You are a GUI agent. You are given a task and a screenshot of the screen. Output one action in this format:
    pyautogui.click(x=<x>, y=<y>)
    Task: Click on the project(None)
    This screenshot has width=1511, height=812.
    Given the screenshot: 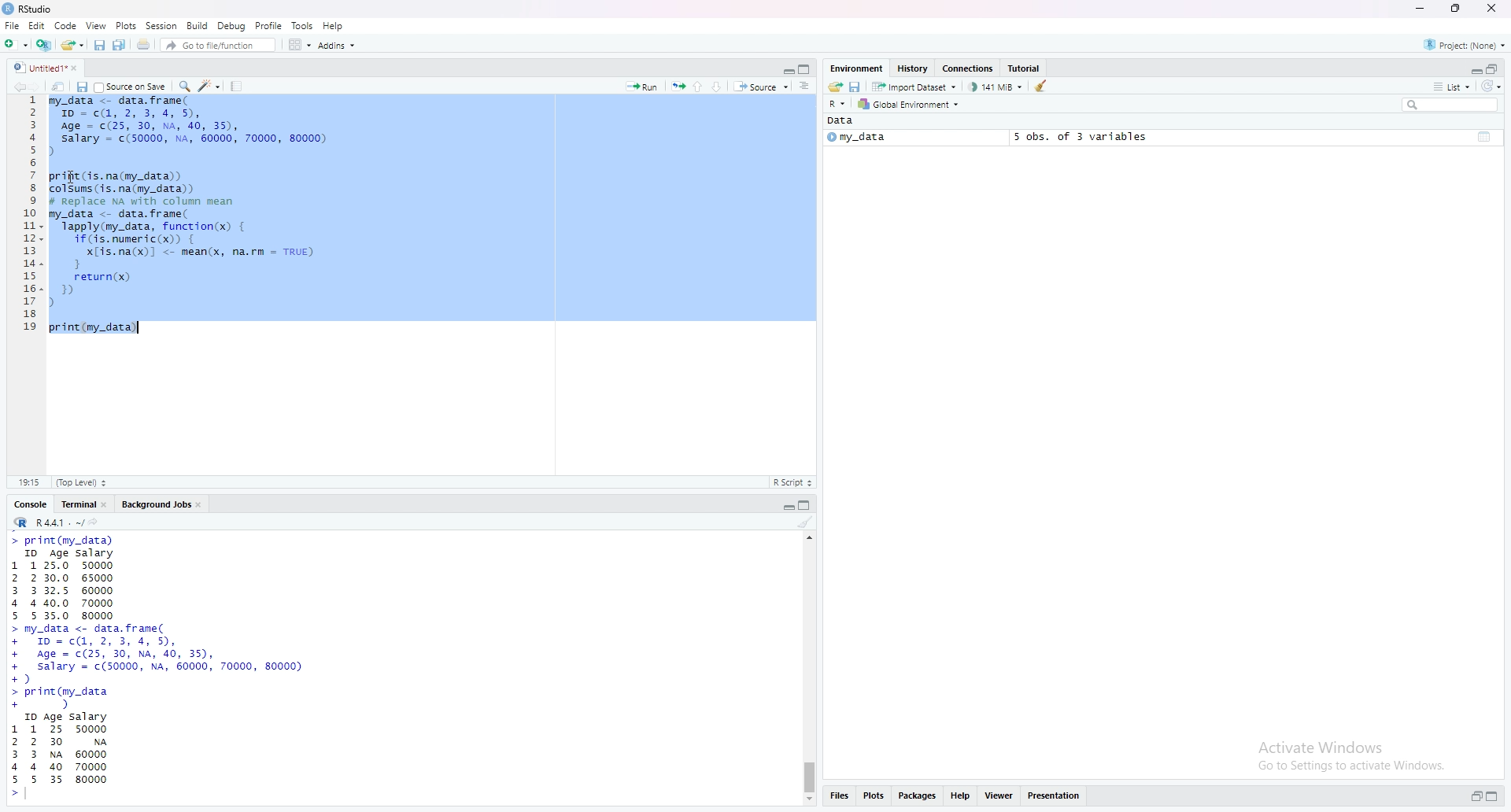 What is the action you would take?
    pyautogui.click(x=1467, y=47)
    